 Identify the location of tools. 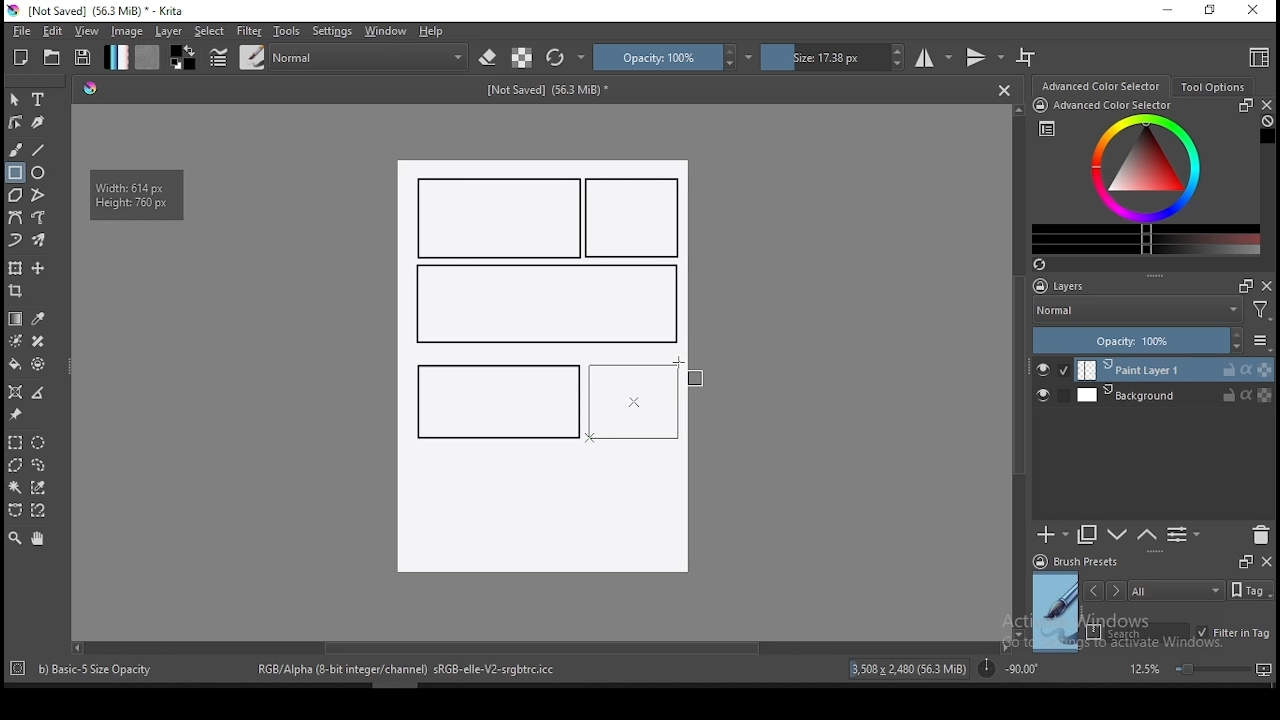
(287, 31).